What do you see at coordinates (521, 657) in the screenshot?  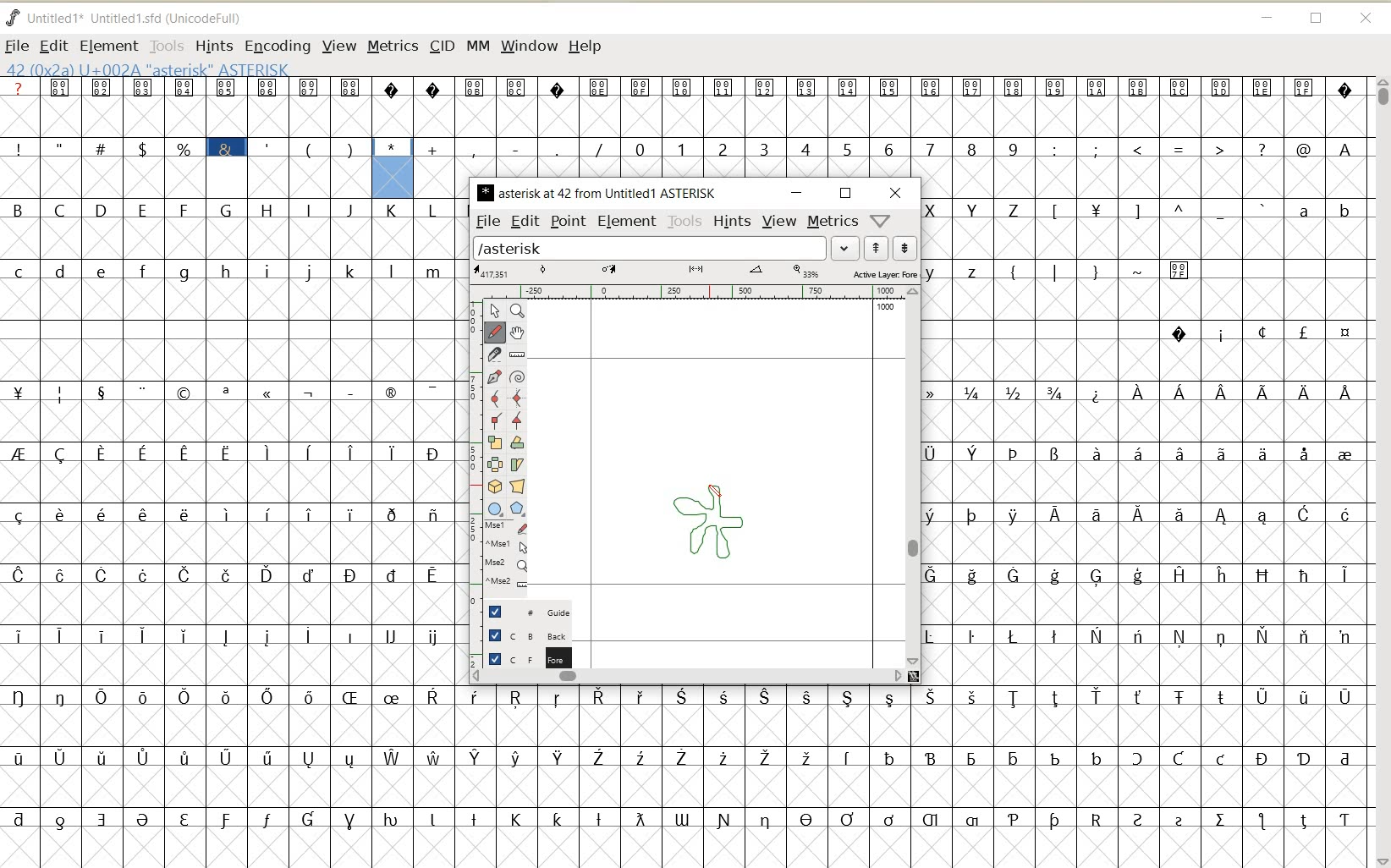 I see `FOREGROUND` at bounding box center [521, 657].